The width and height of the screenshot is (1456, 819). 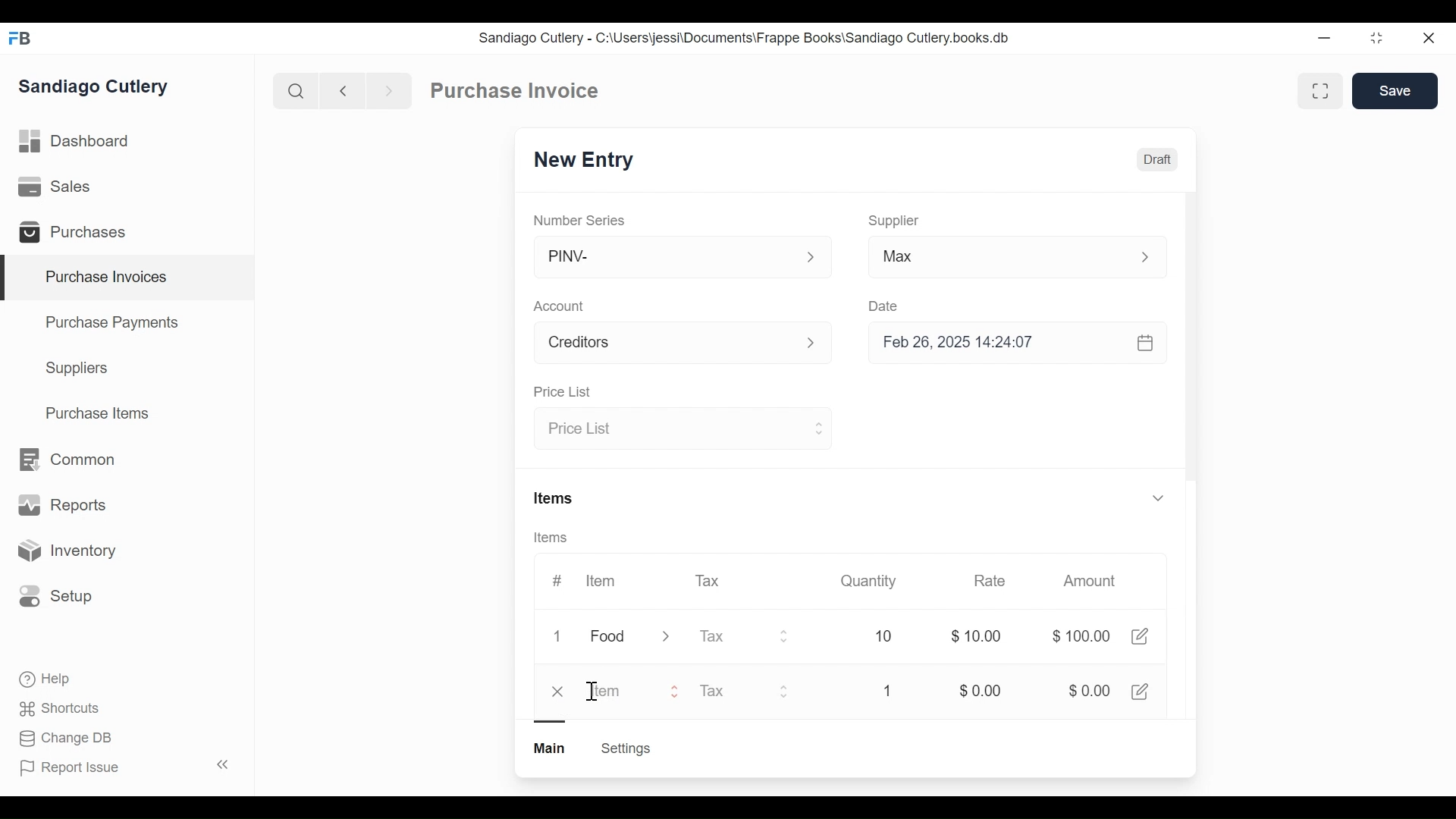 I want to click on Max, so click(x=987, y=259).